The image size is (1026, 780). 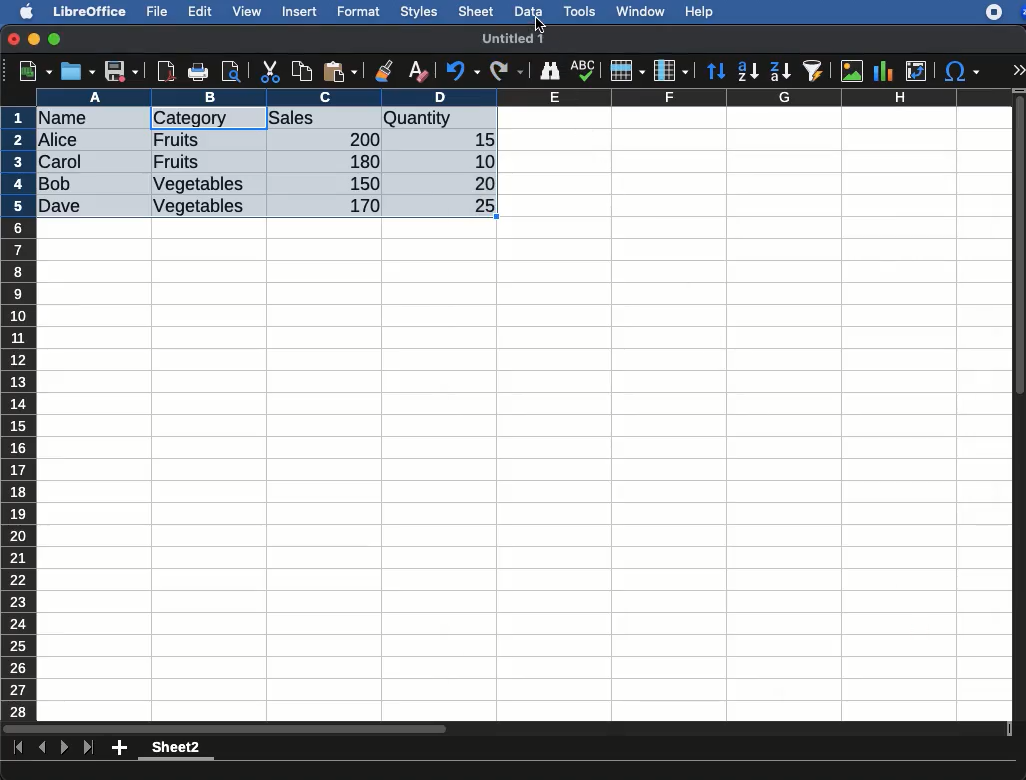 What do you see at coordinates (304, 71) in the screenshot?
I see `copy` at bounding box center [304, 71].